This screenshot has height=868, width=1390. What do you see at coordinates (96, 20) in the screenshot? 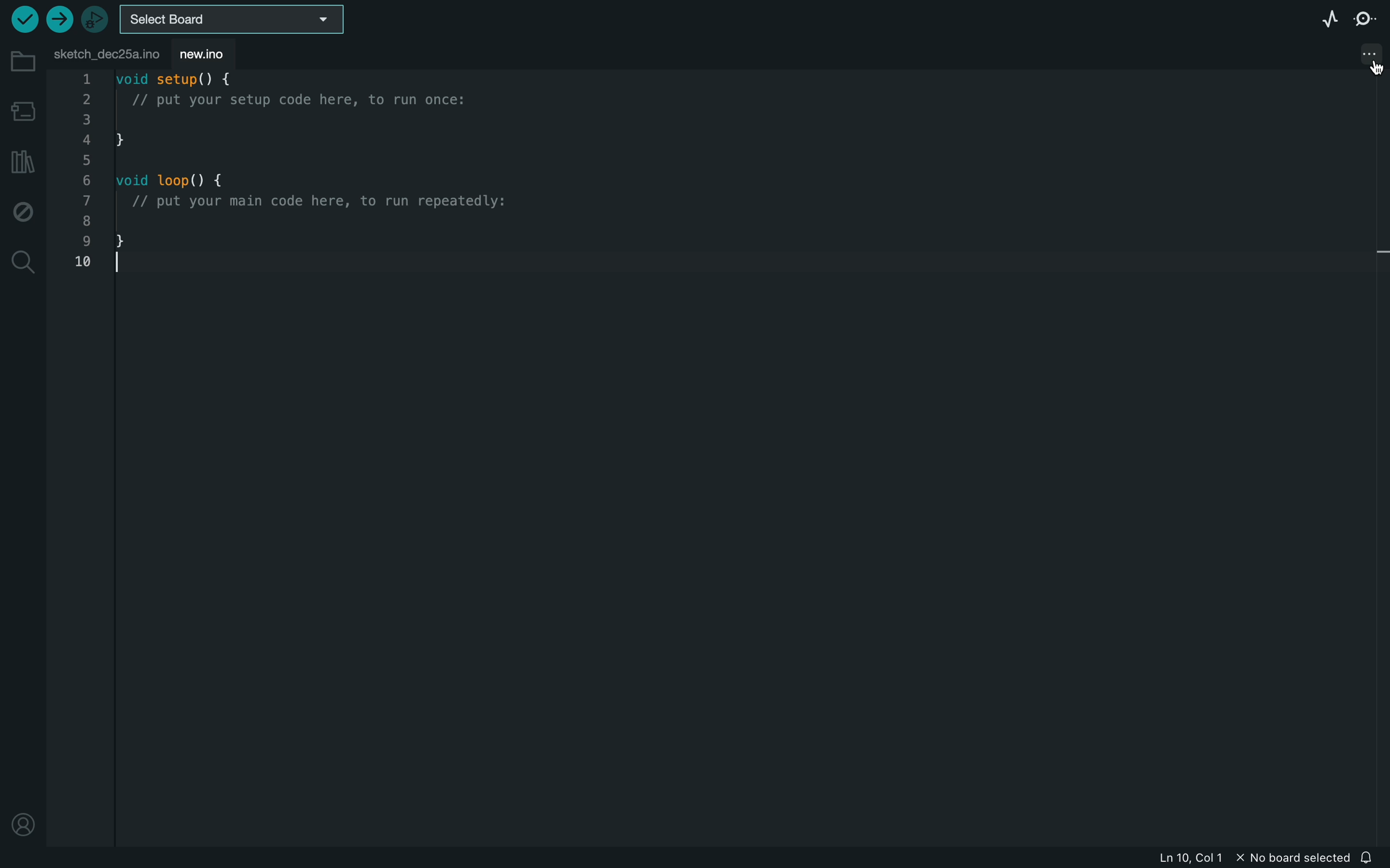
I see `debugger` at bounding box center [96, 20].